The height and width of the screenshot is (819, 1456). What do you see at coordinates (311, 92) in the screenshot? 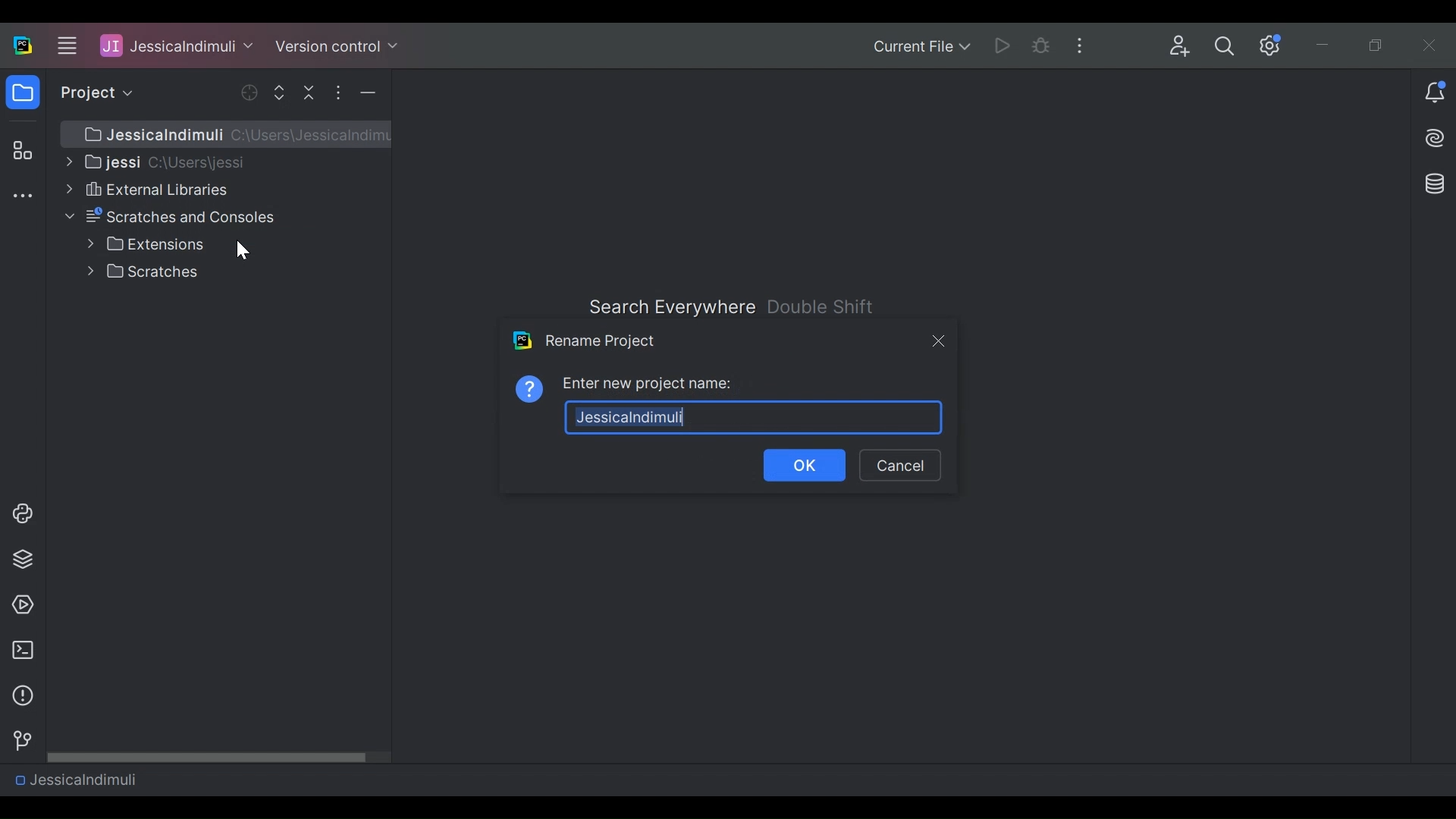
I see `Collapse All` at bounding box center [311, 92].